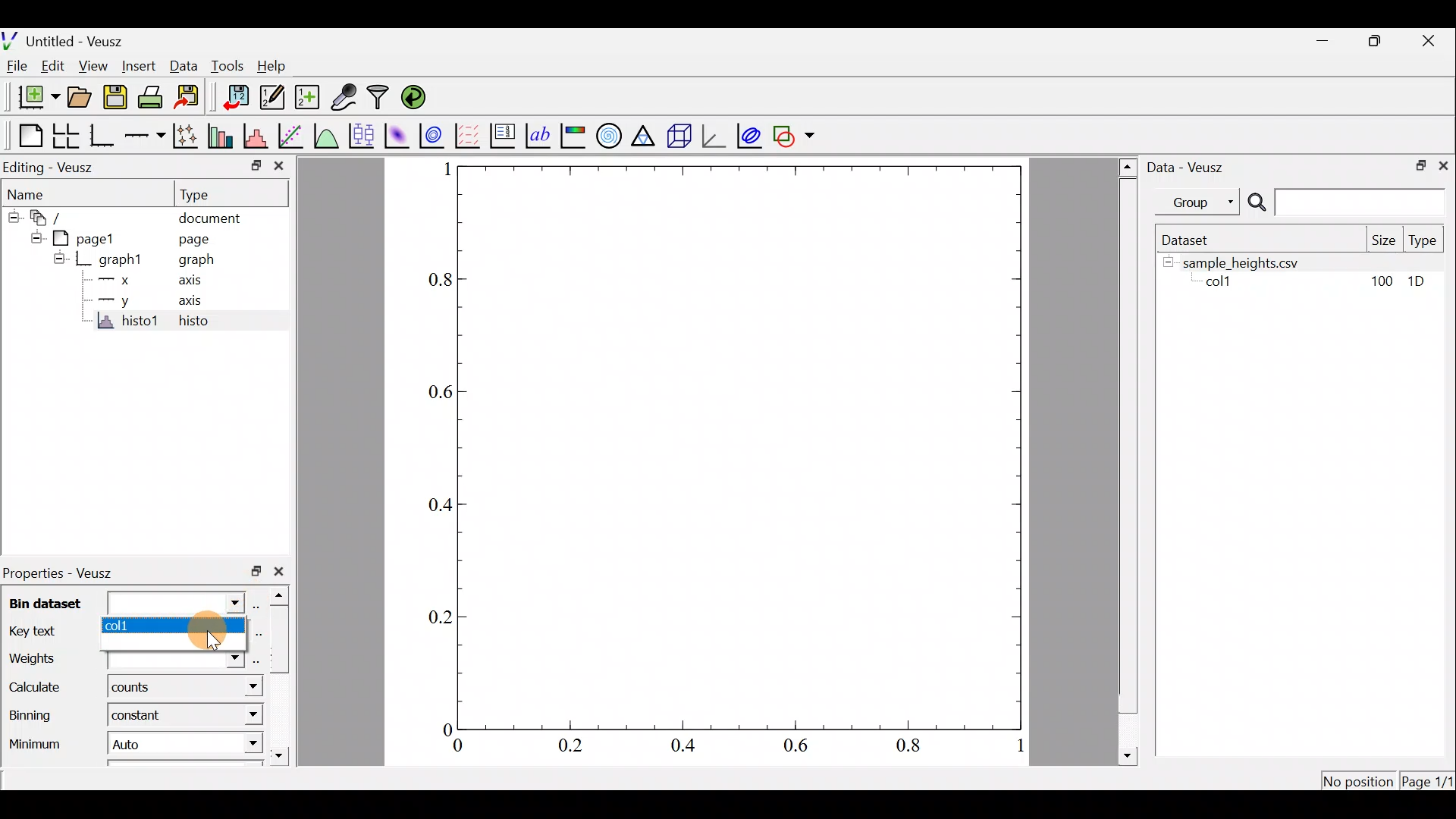 Image resolution: width=1456 pixels, height=819 pixels. I want to click on axis, so click(186, 279).